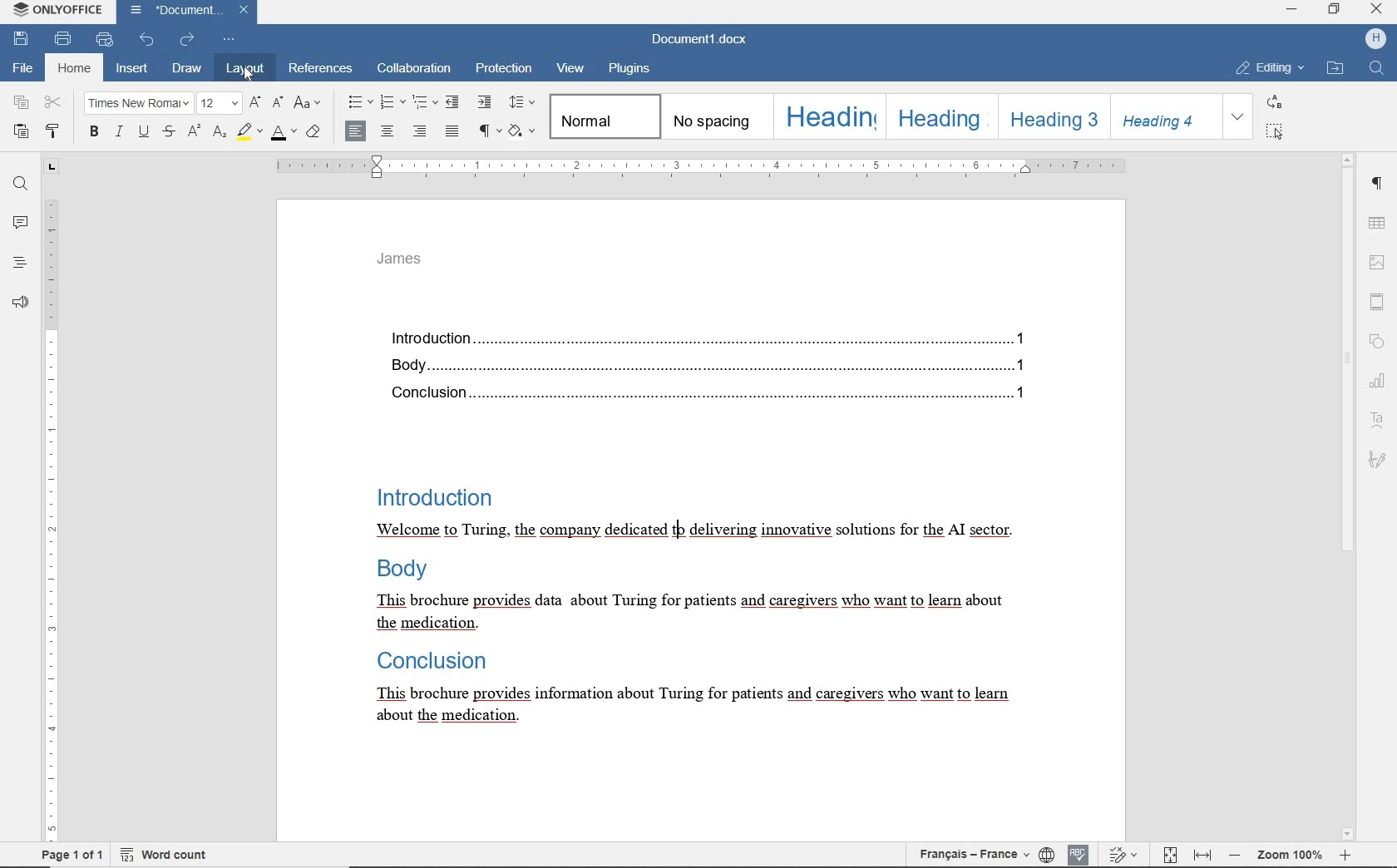 The image size is (1397, 868). Describe the element at coordinates (20, 185) in the screenshot. I see `find` at that location.